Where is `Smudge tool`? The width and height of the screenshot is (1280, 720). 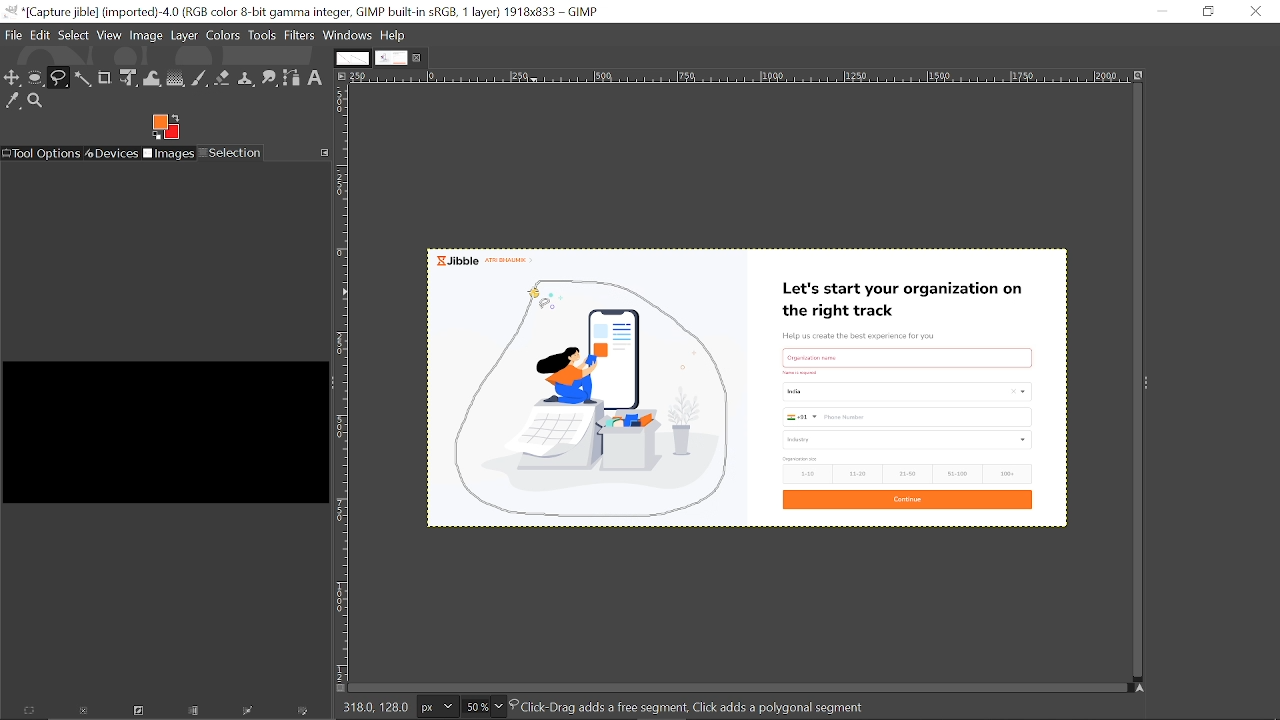
Smudge tool is located at coordinates (270, 77).